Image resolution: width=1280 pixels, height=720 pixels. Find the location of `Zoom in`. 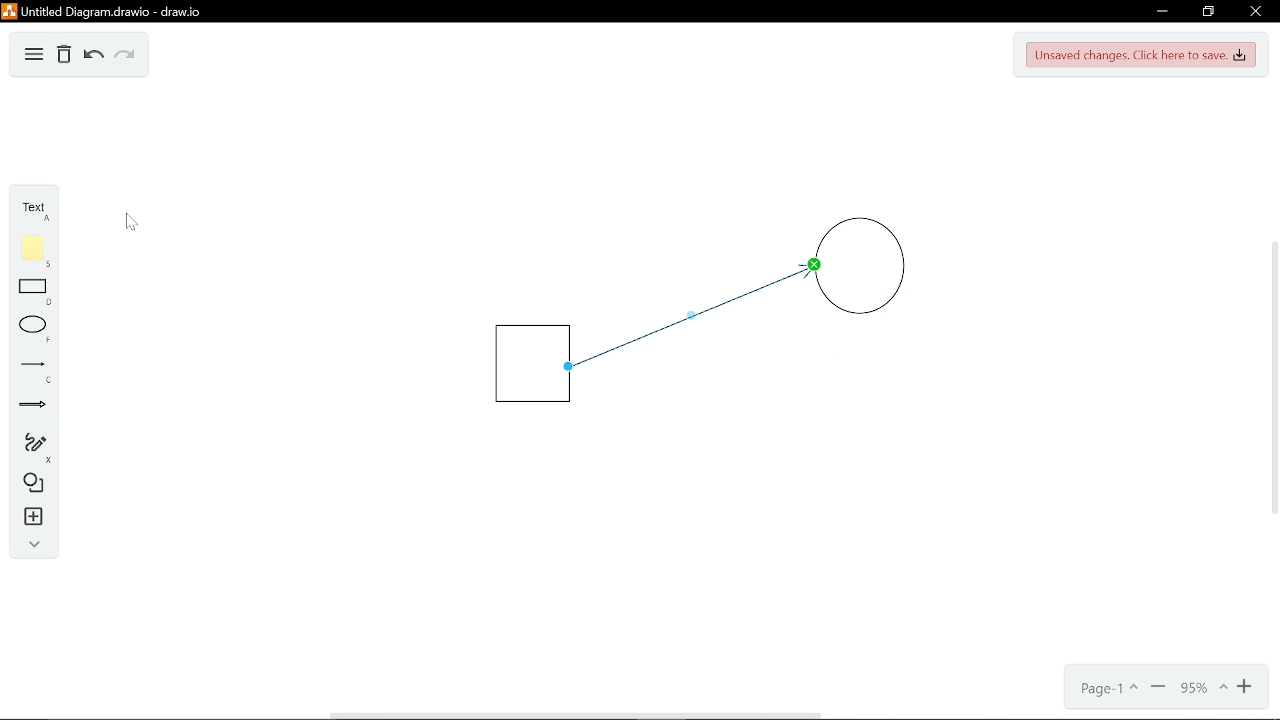

Zoom in is located at coordinates (1245, 689).